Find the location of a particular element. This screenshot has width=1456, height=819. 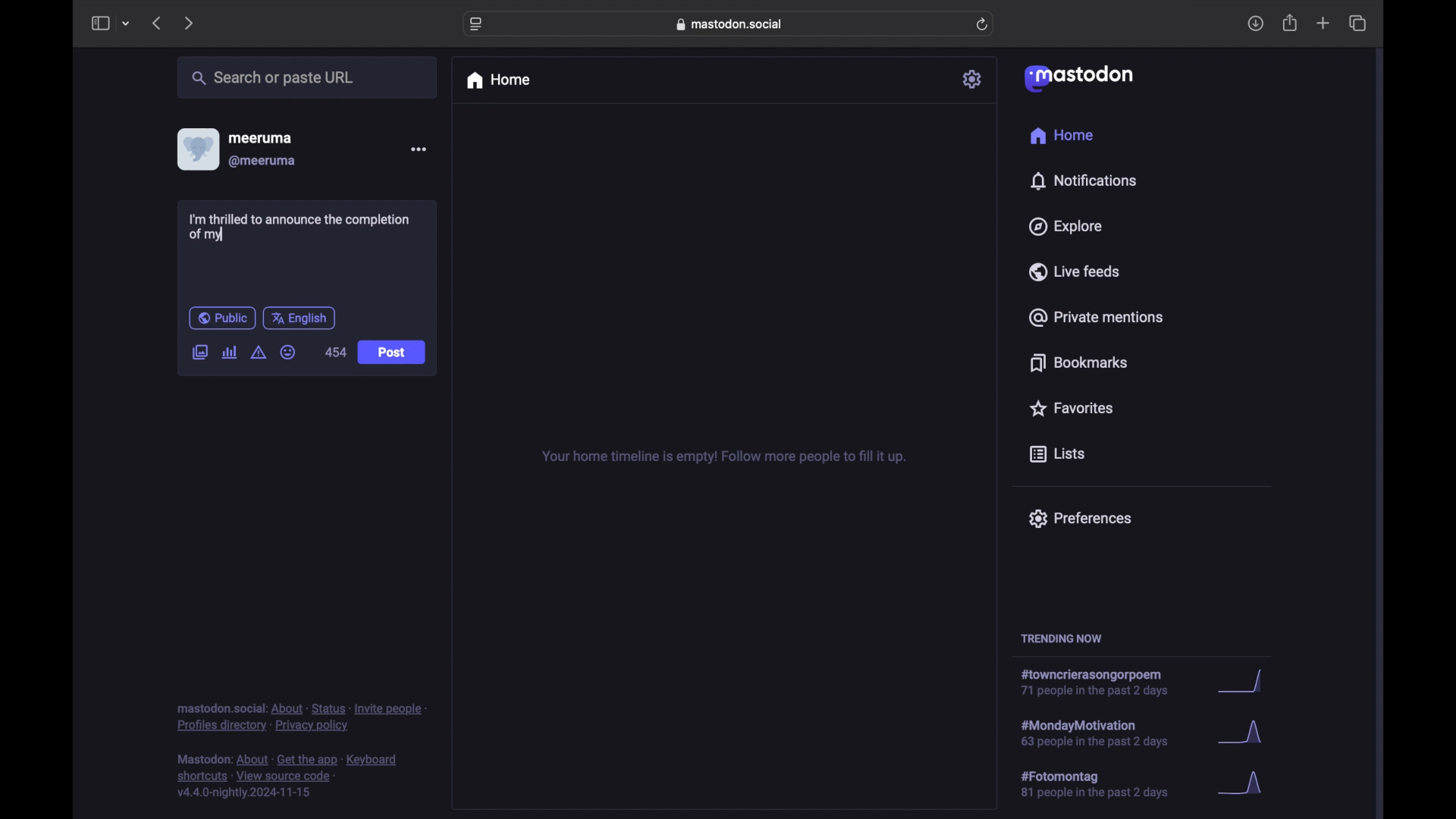

favorites is located at coordinates (1071, 408).